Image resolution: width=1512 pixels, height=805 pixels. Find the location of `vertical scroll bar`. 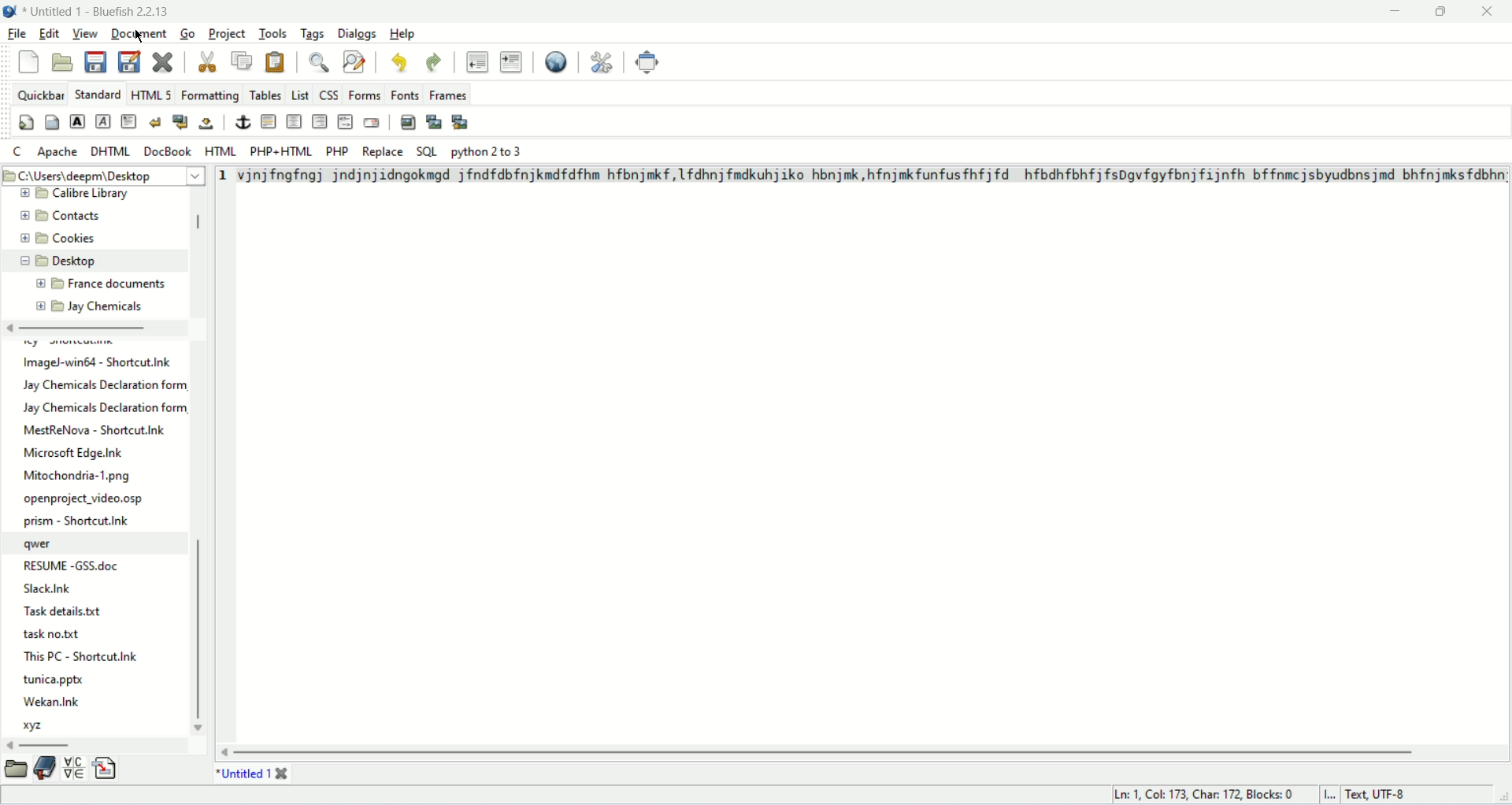

vertical scroll bar is located at coordinates (201, 632).